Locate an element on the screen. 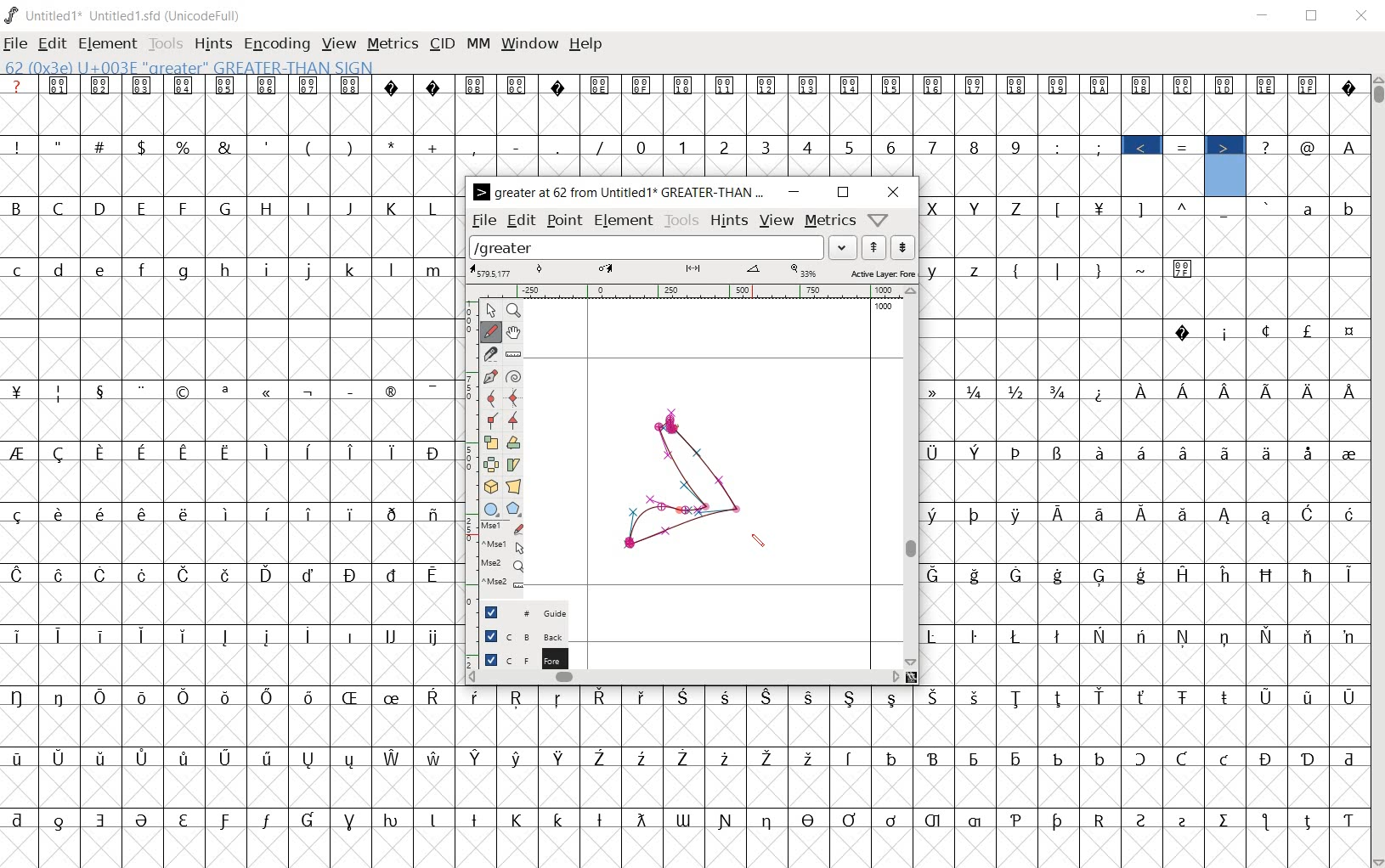  scale the selection is located at coordinates (489, 442).